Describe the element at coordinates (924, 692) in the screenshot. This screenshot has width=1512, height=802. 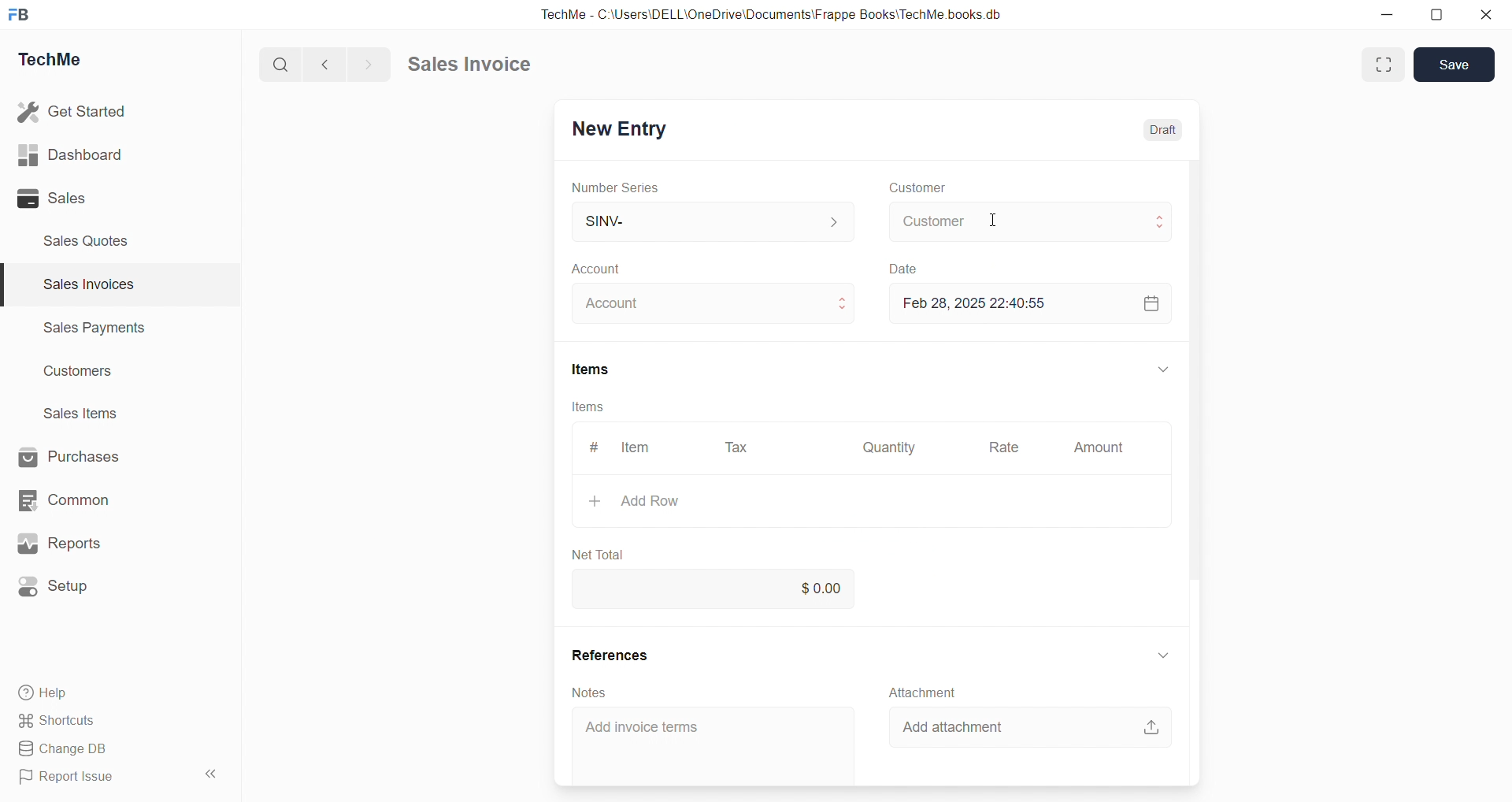
I see `Attachment` at that location.